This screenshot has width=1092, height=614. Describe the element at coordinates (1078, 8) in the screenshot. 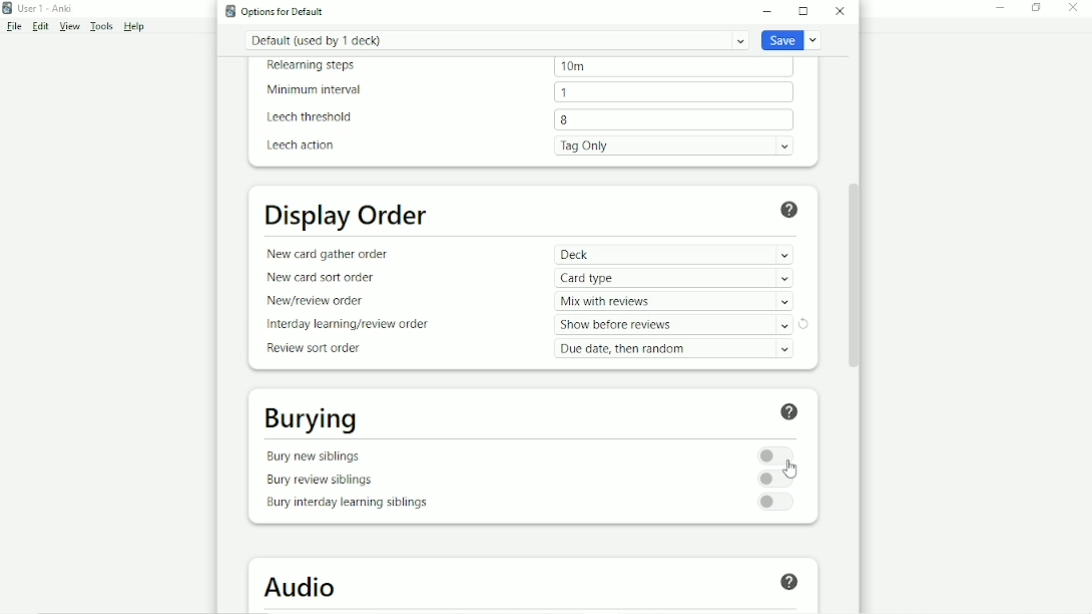

I see `Close` at that location.